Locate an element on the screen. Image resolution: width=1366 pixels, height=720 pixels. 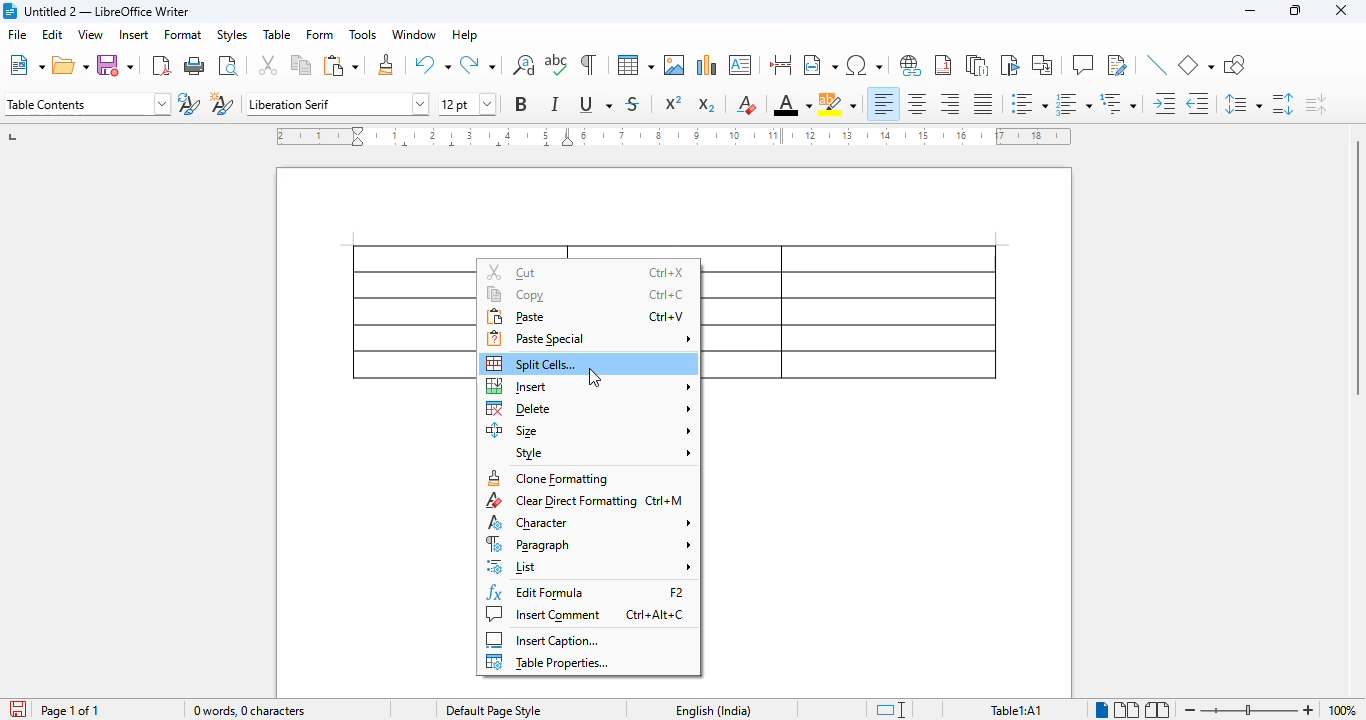
maximize is located at coordinates (1296, 11).